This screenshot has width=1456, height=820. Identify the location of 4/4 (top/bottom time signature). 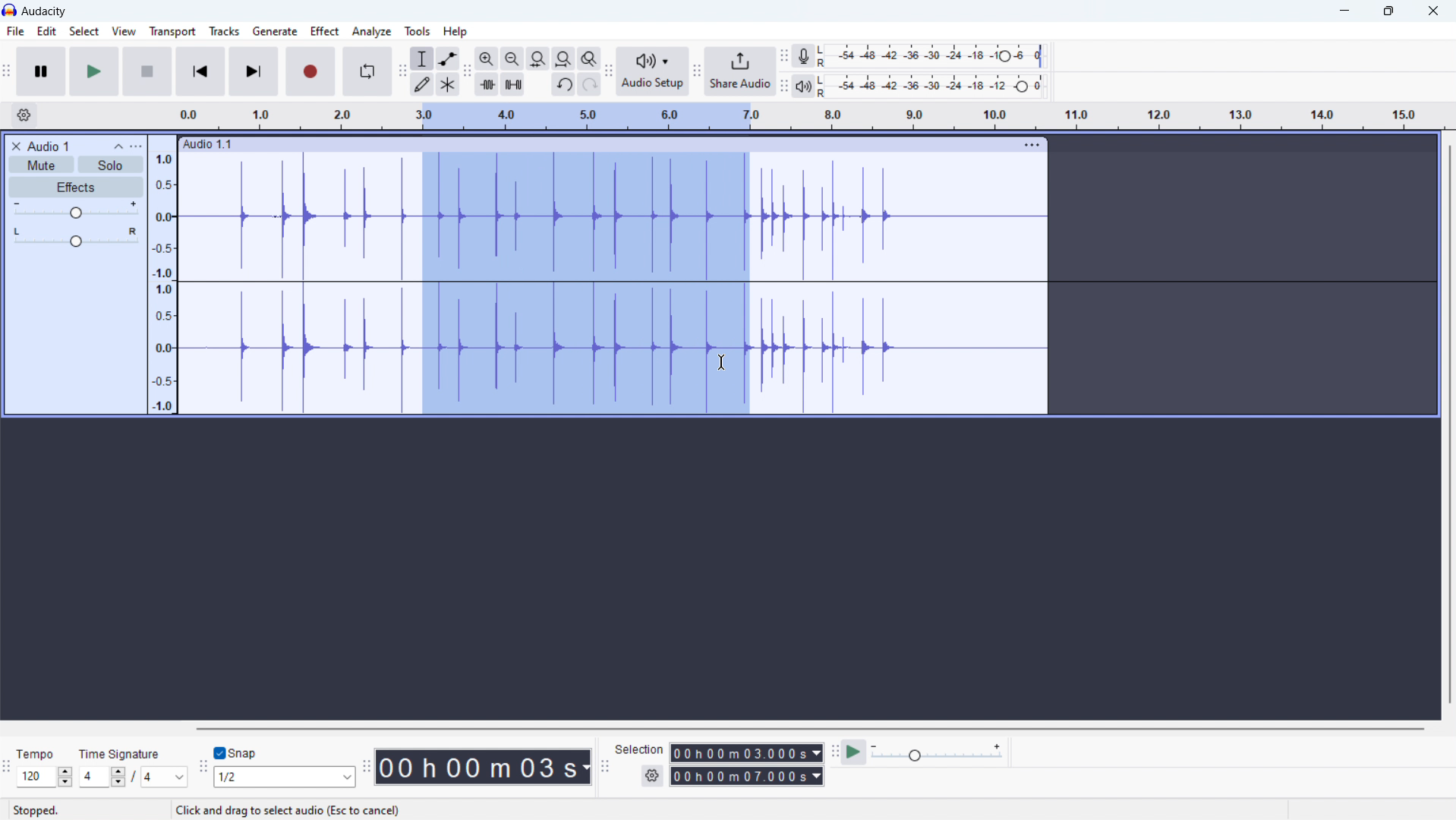
(130, 779).